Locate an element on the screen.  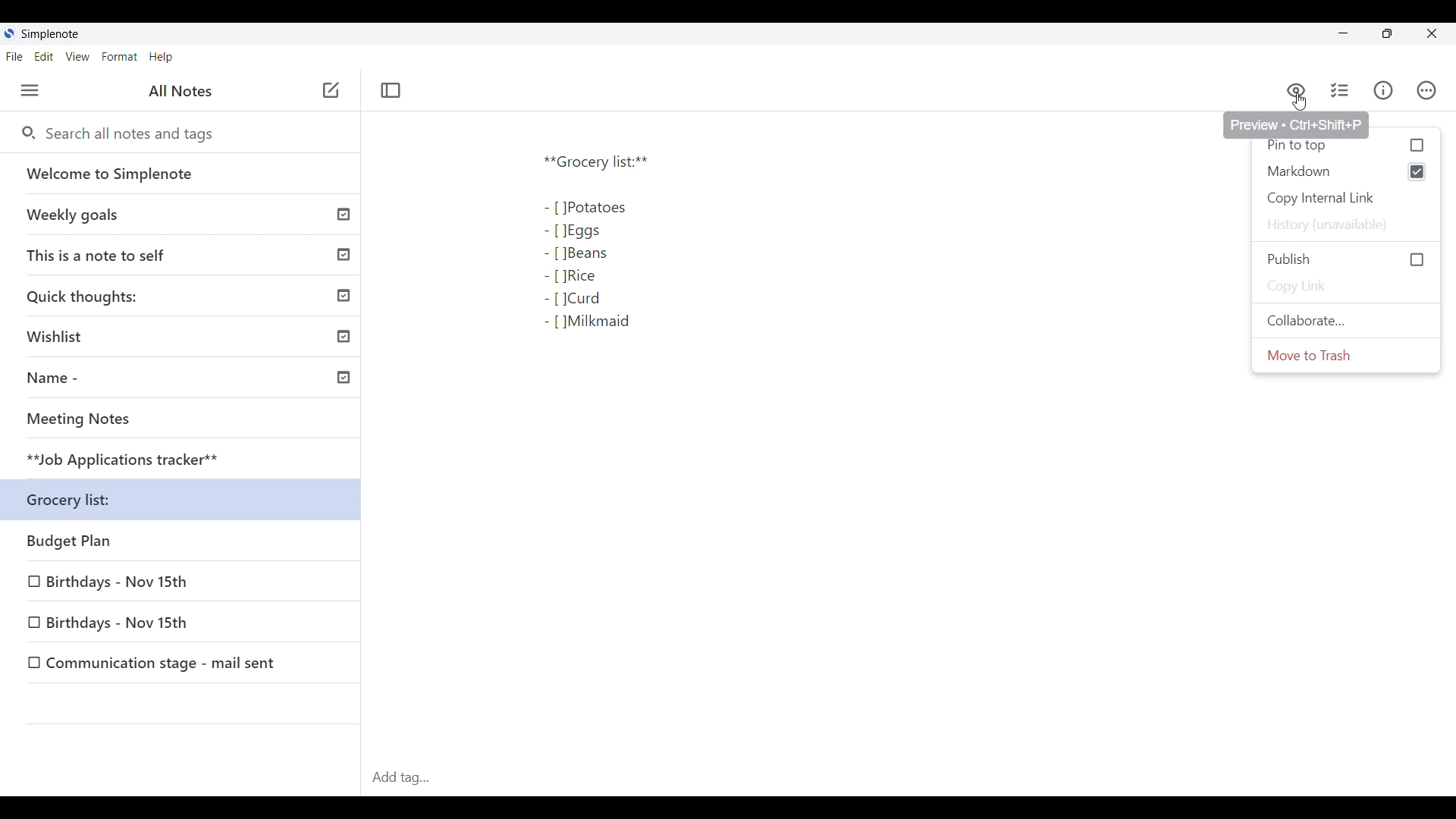
Cursor is located at coordinates (1298, 104).